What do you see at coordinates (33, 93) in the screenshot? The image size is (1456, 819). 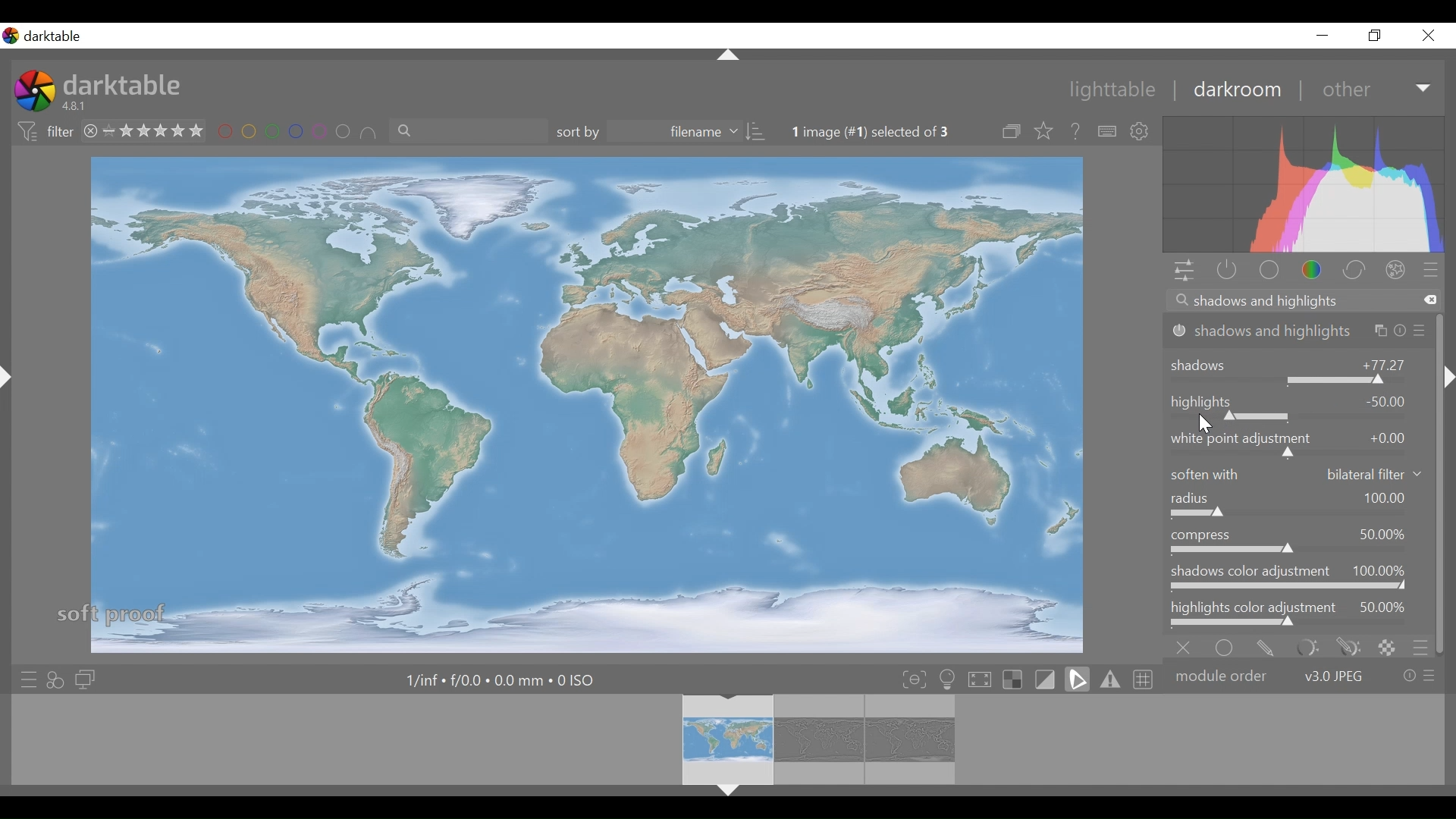 I see `Darktable Desktop Icon` at bounding box center [33, 93].